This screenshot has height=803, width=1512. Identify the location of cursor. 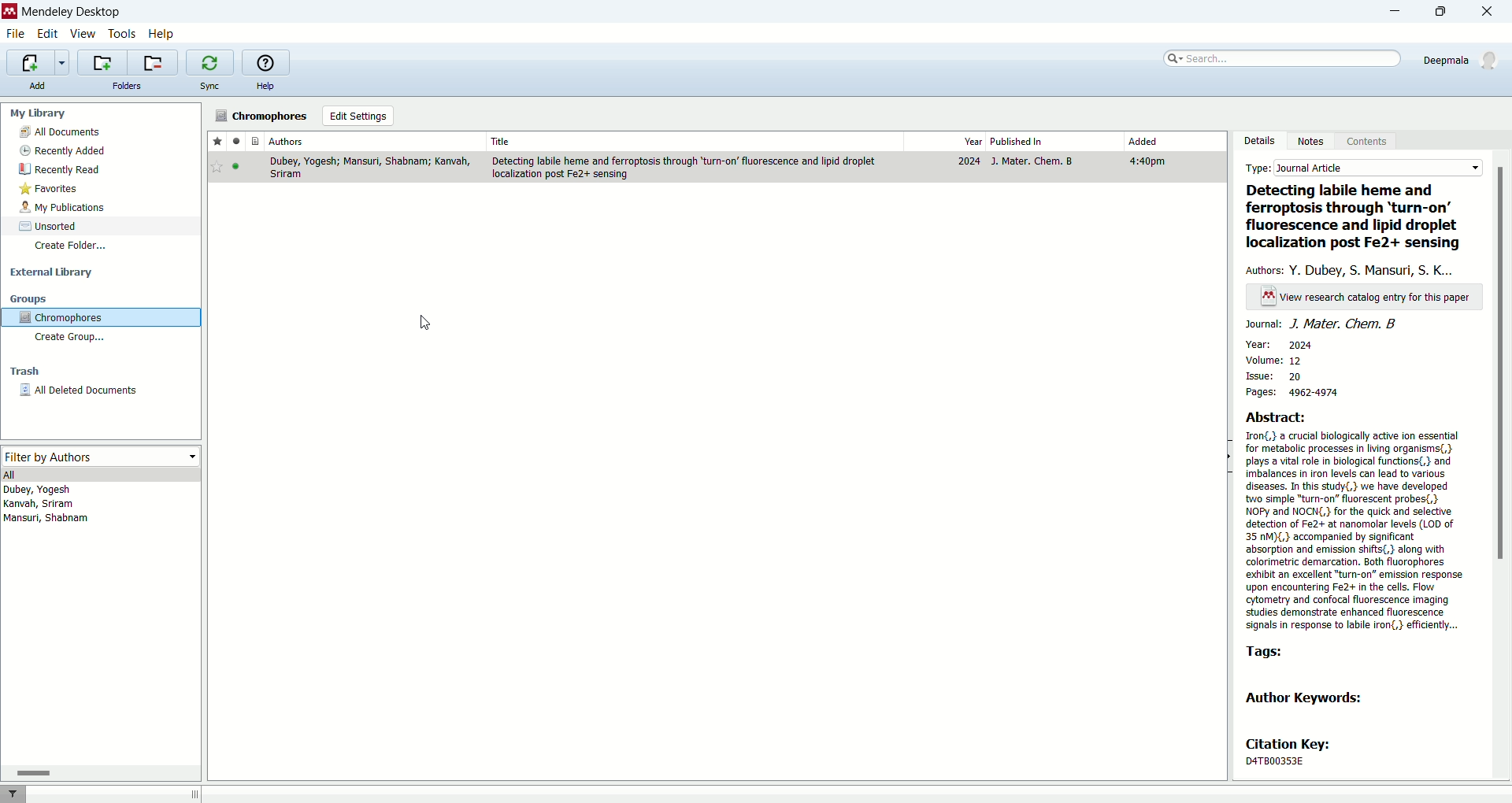
(429, 324).